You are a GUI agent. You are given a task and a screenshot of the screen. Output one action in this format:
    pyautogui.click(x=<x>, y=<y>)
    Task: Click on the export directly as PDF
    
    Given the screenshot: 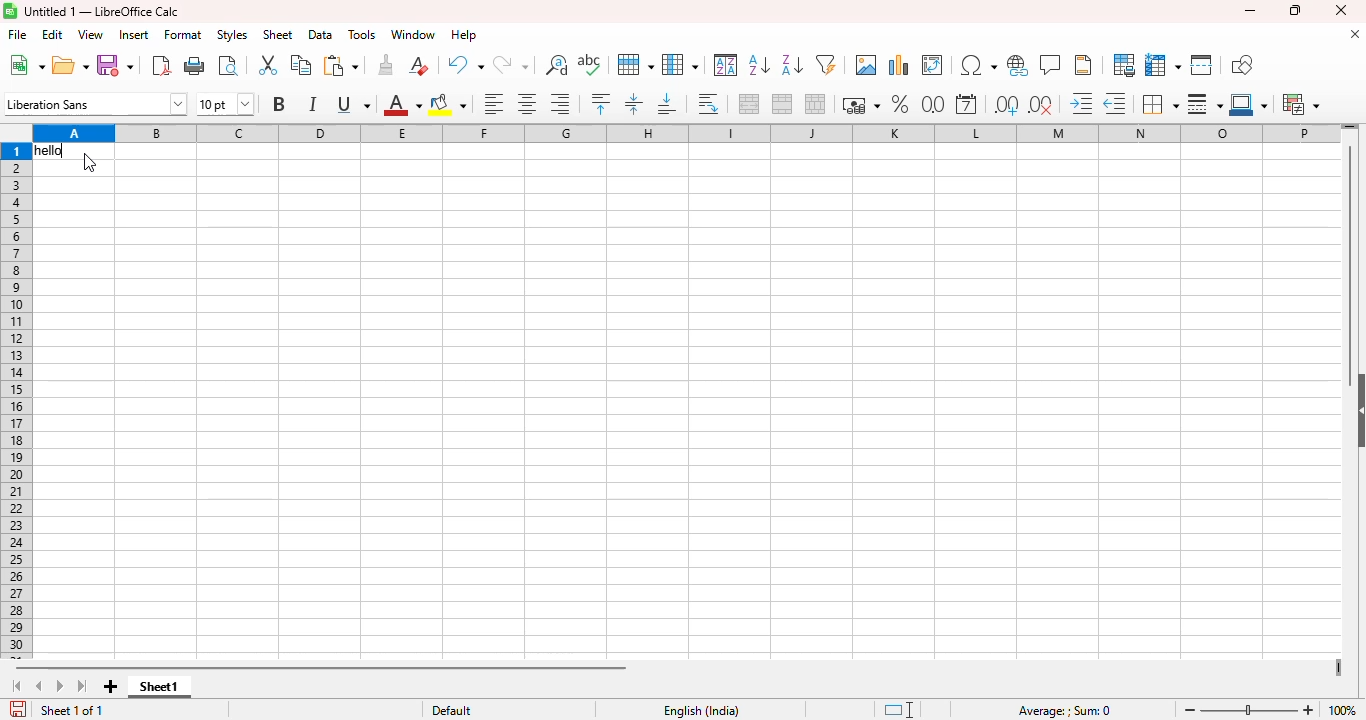 What is the action you would take?
    pyautogui.click(x=162, y=65)
    